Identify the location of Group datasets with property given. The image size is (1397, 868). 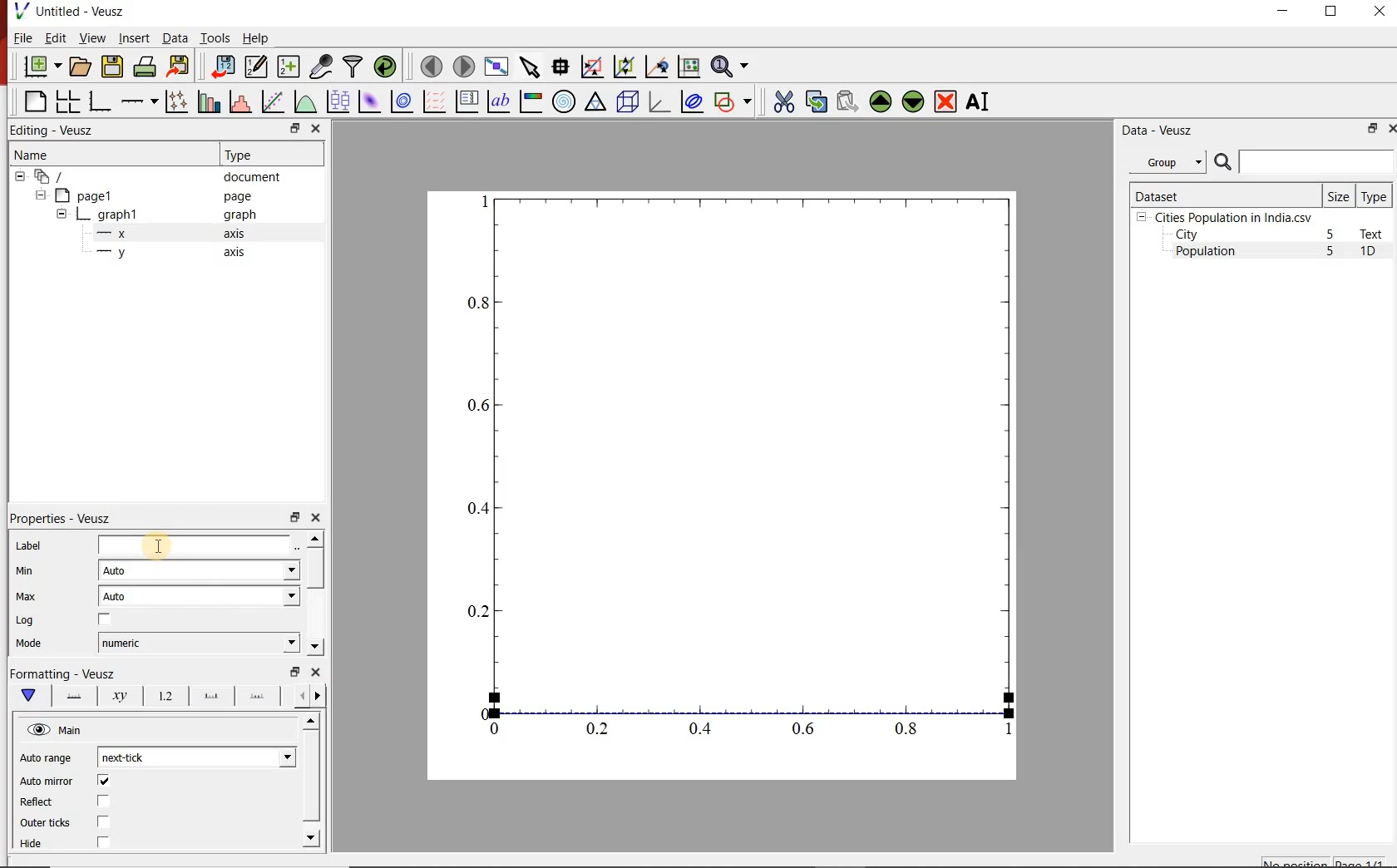
(1167, 161).